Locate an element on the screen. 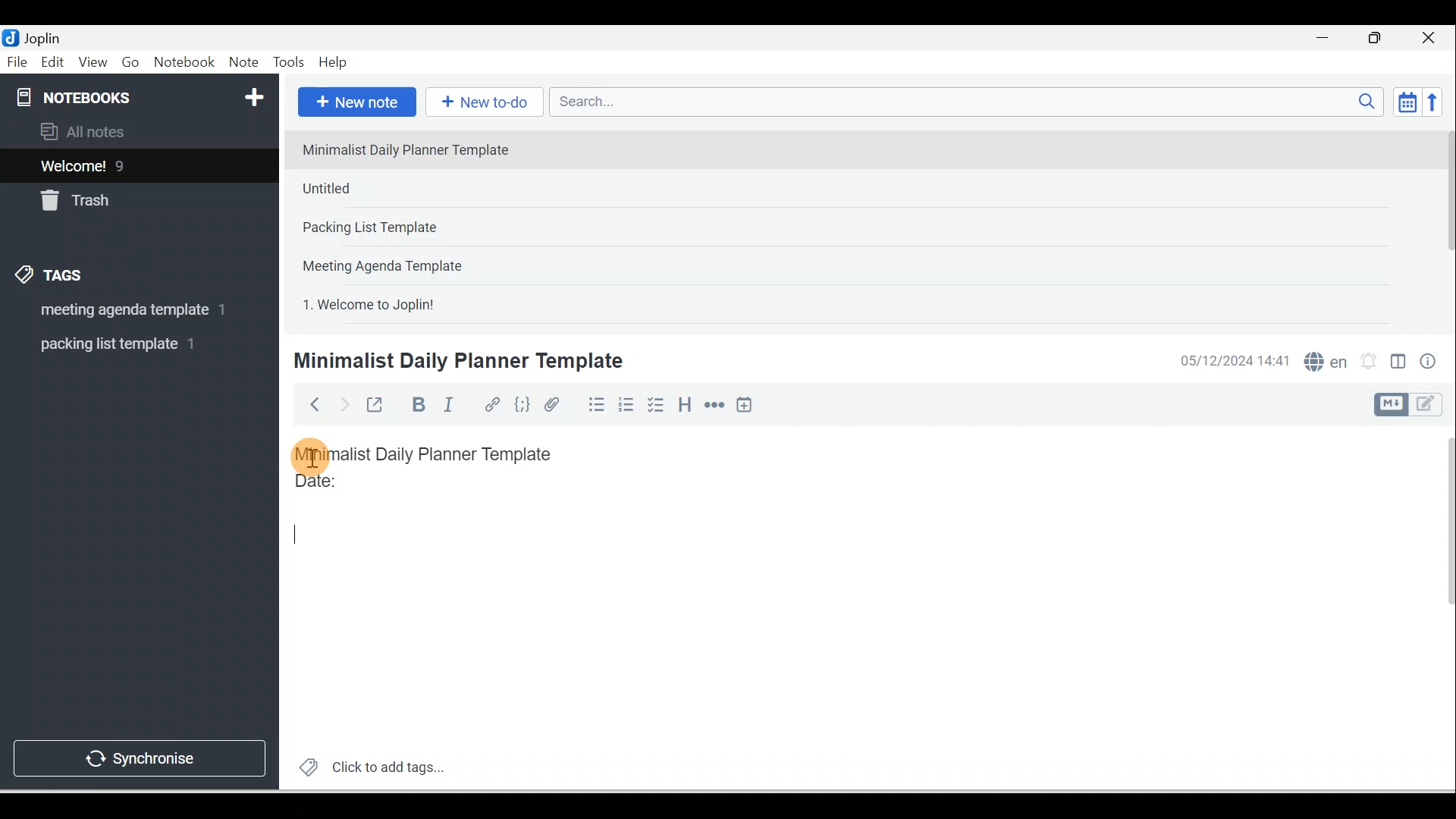 The image size is (1456, 819). Numbered list is located at coordinates (626, 404).